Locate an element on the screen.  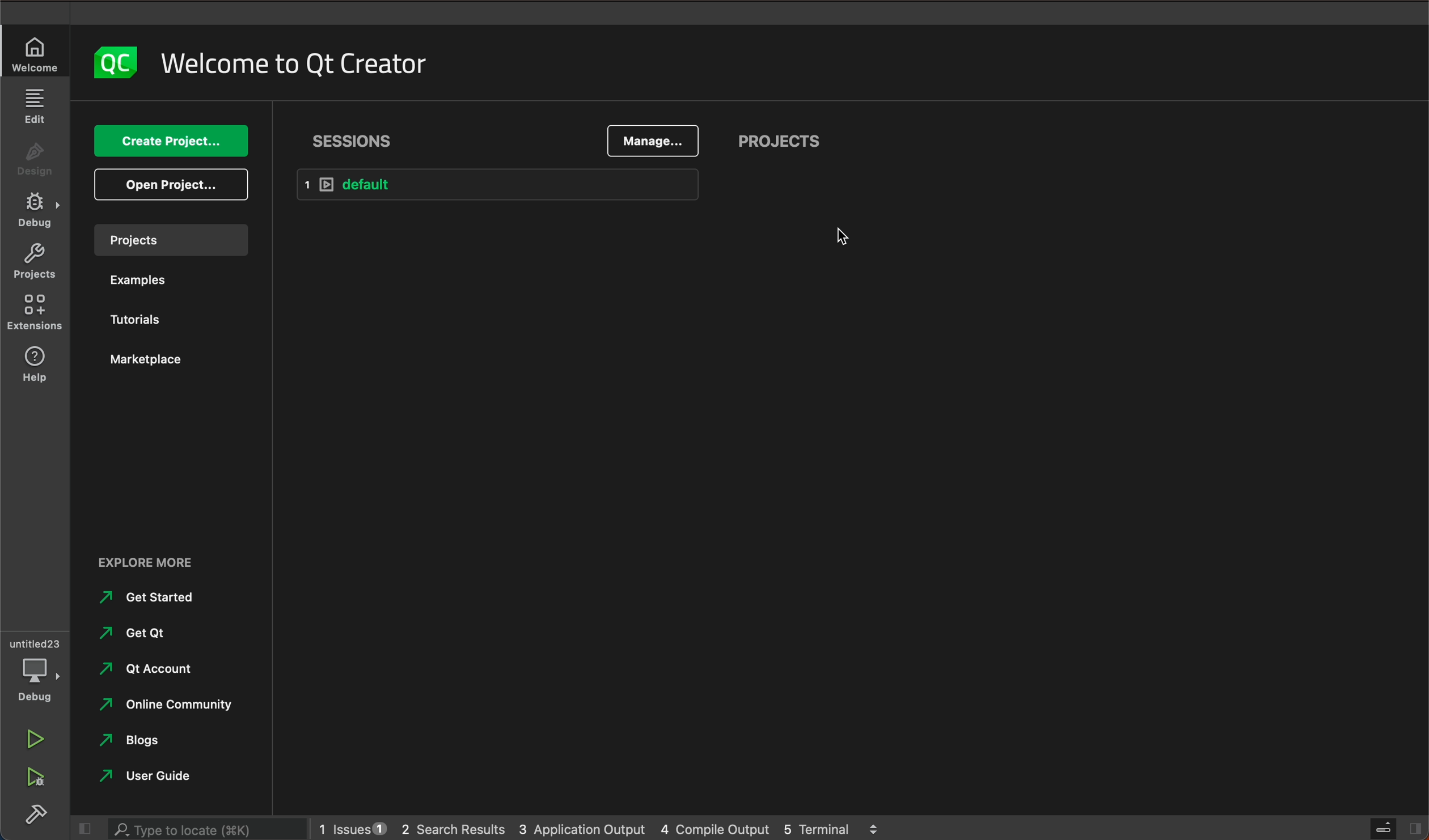
edit is located at coordinates (33, 107).